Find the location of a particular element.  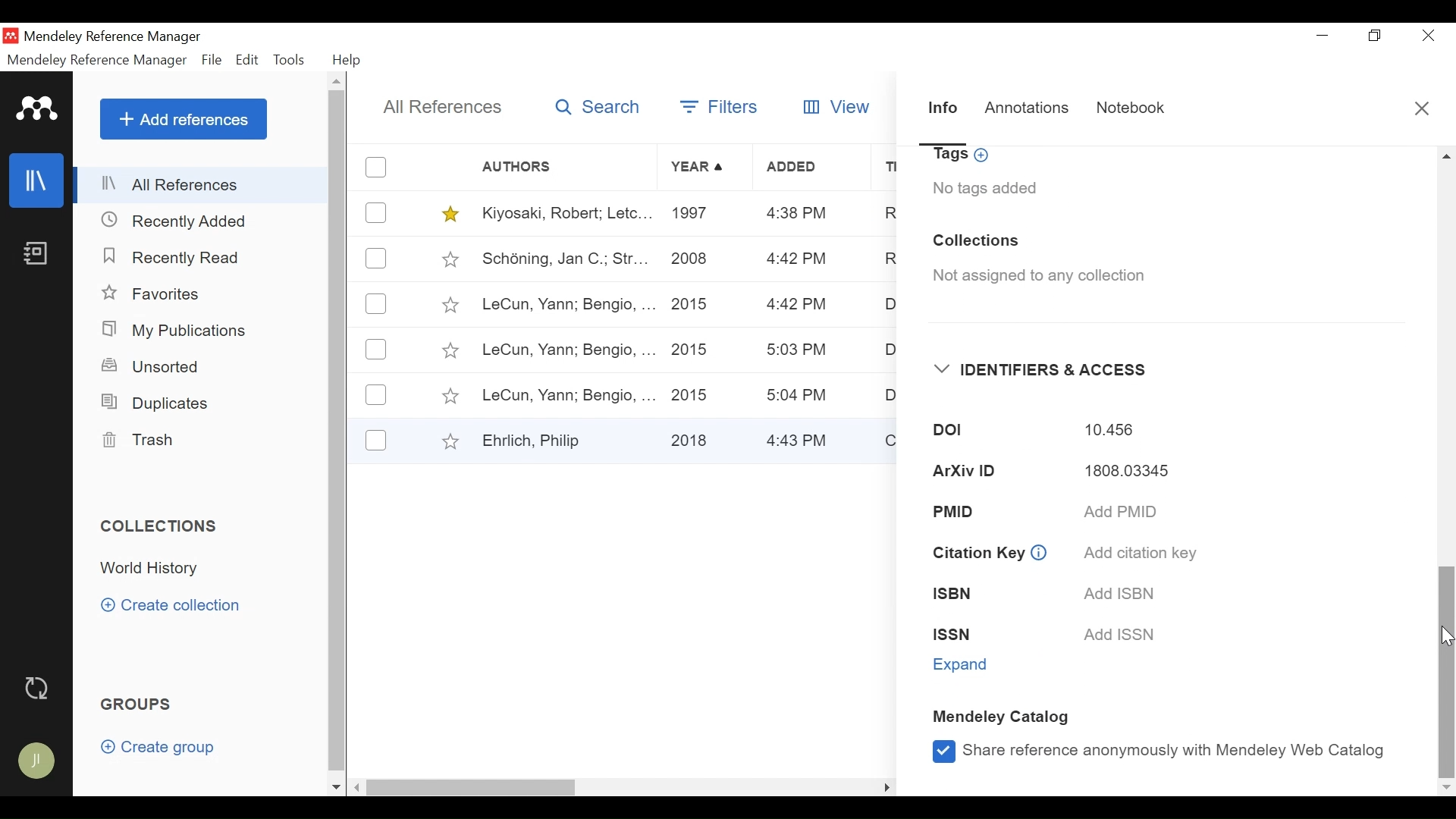

Mendeley Reference Manager is located at coordinates (113, 38).